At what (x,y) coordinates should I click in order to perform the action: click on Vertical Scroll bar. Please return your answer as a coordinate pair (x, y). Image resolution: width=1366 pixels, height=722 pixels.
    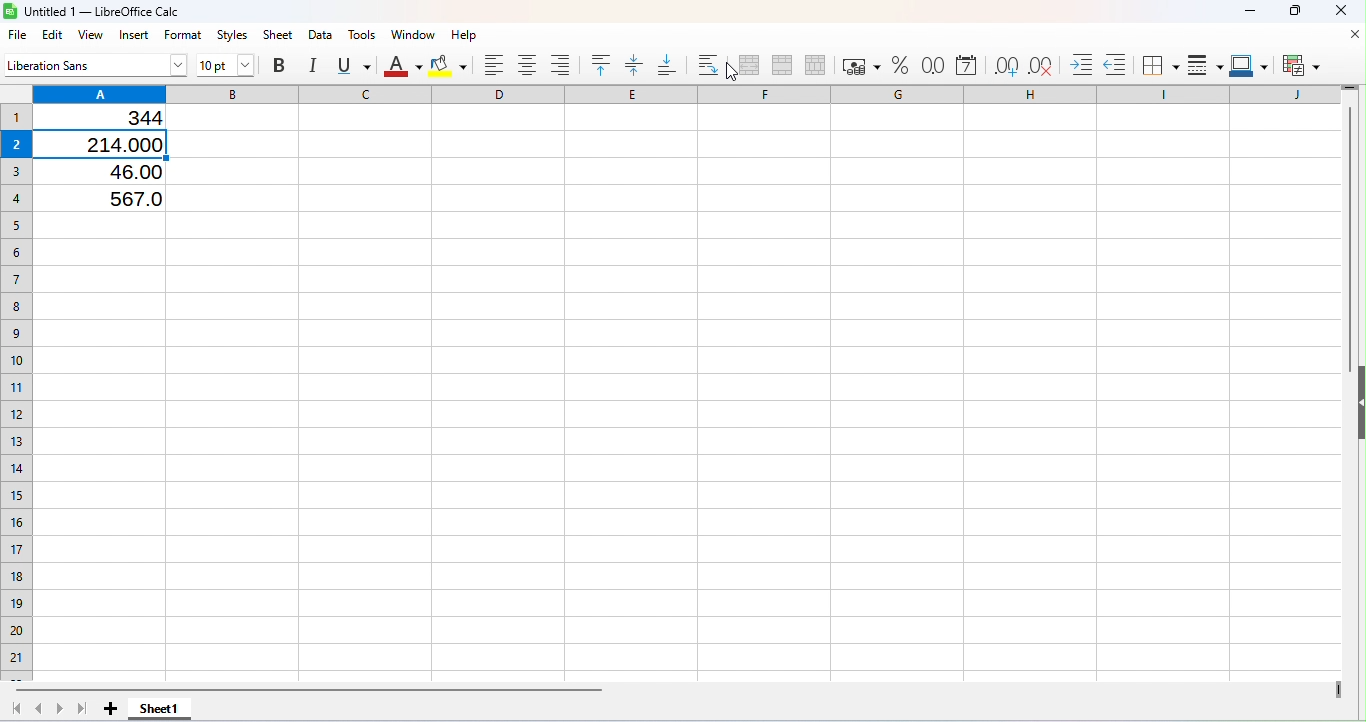
    Looking at the image, I should click on (1347, 382).